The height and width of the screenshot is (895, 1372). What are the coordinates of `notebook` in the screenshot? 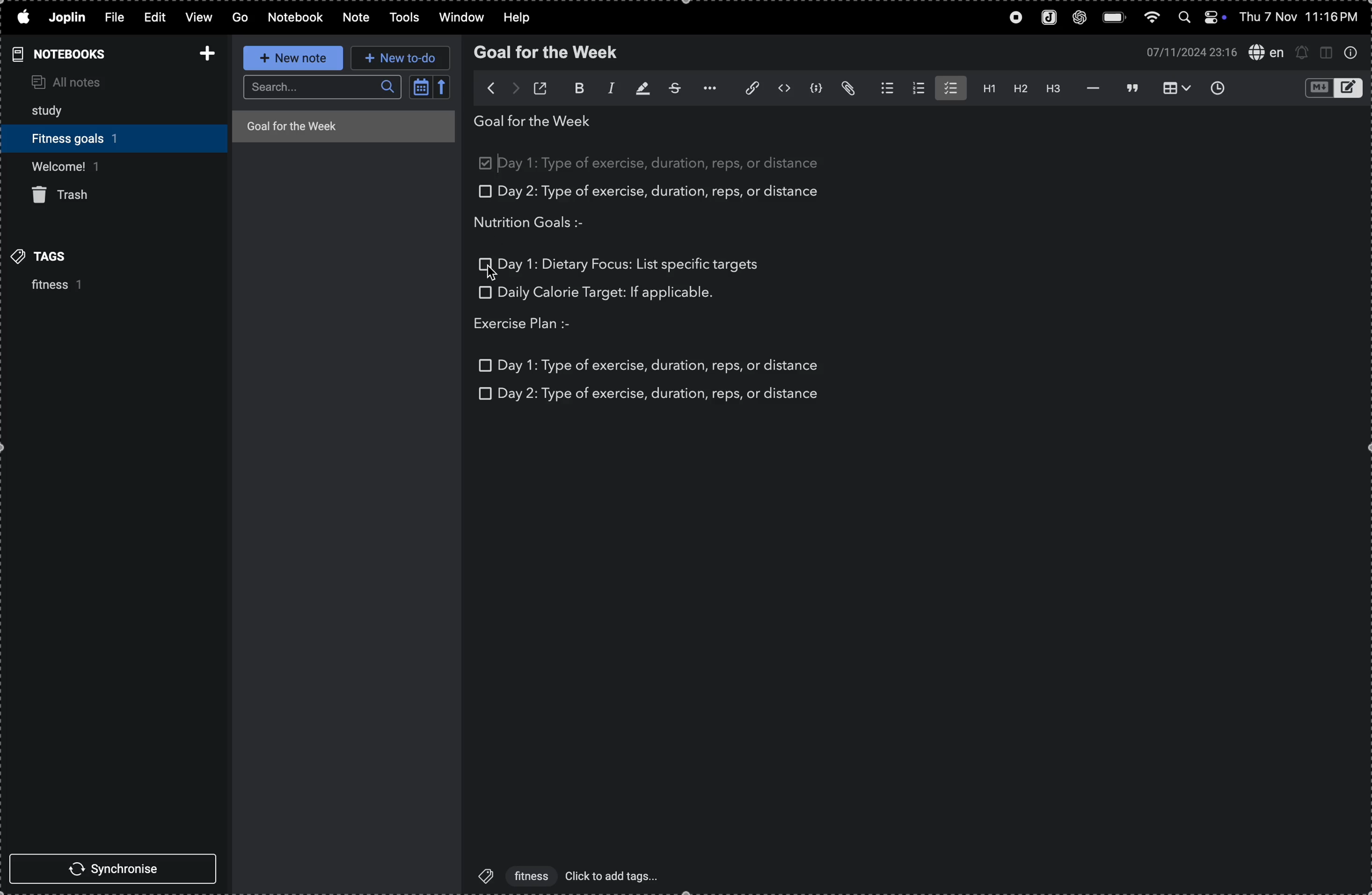 It's located at (296, 17).